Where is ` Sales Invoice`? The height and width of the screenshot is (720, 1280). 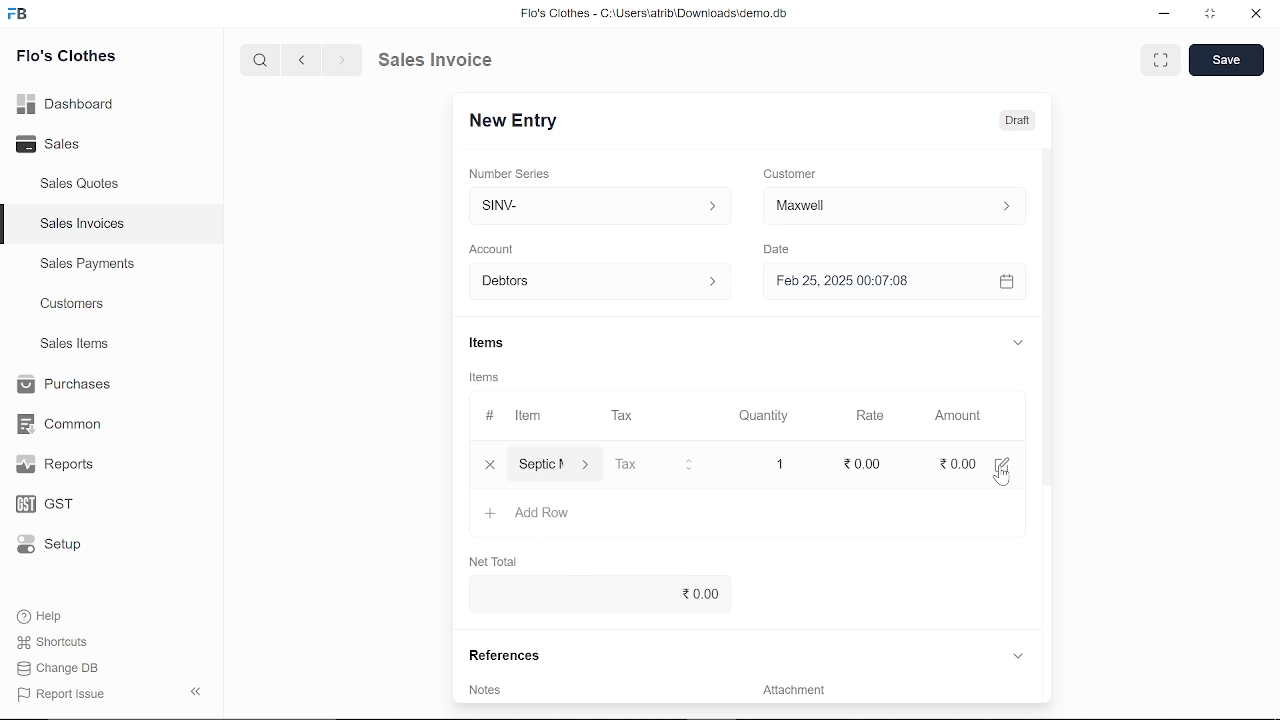
 Sales Invoice is located at coordinates (446, 61).